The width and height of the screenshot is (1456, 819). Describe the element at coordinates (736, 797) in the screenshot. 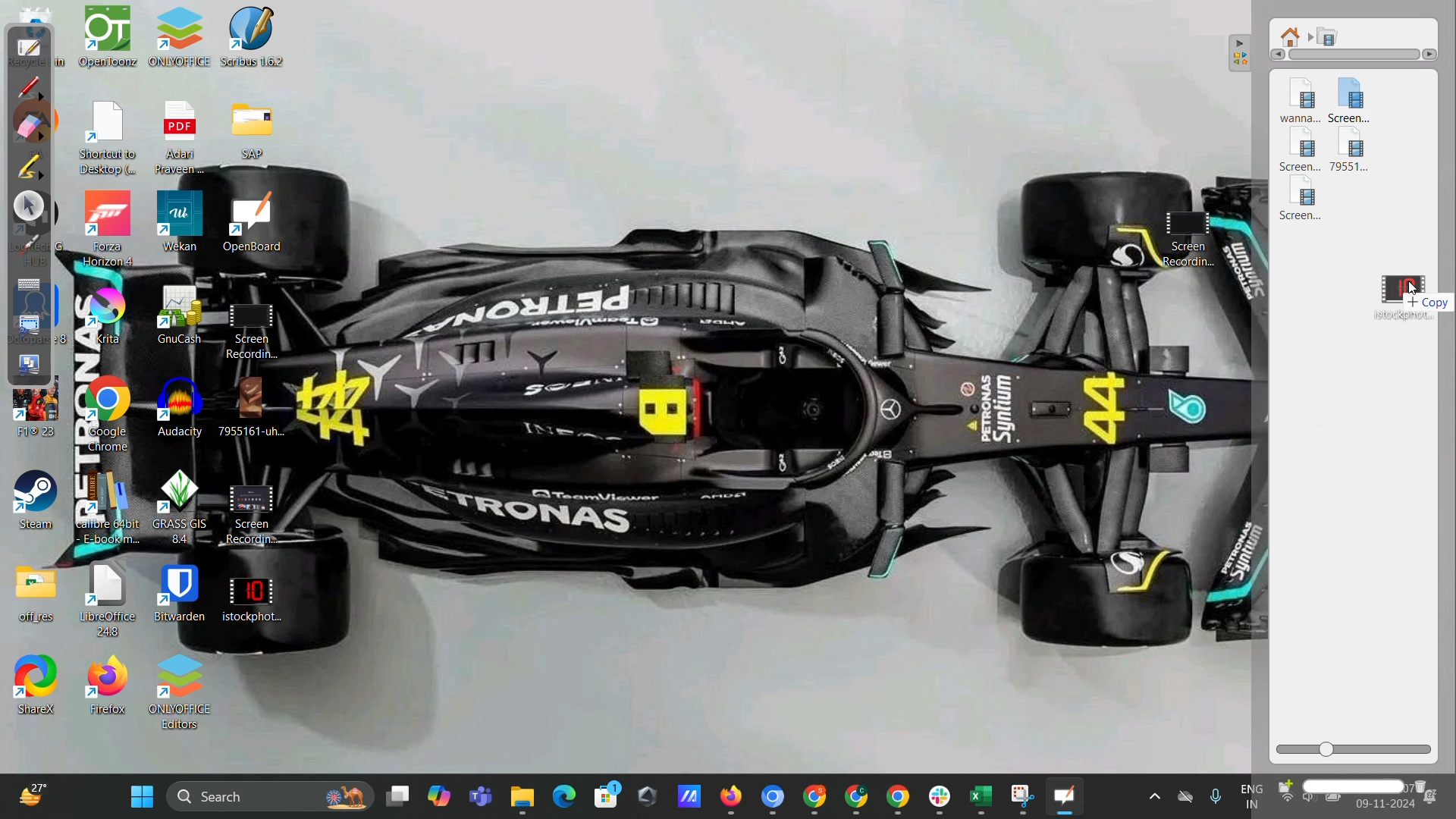

I see `minimized google chrome` at that location.